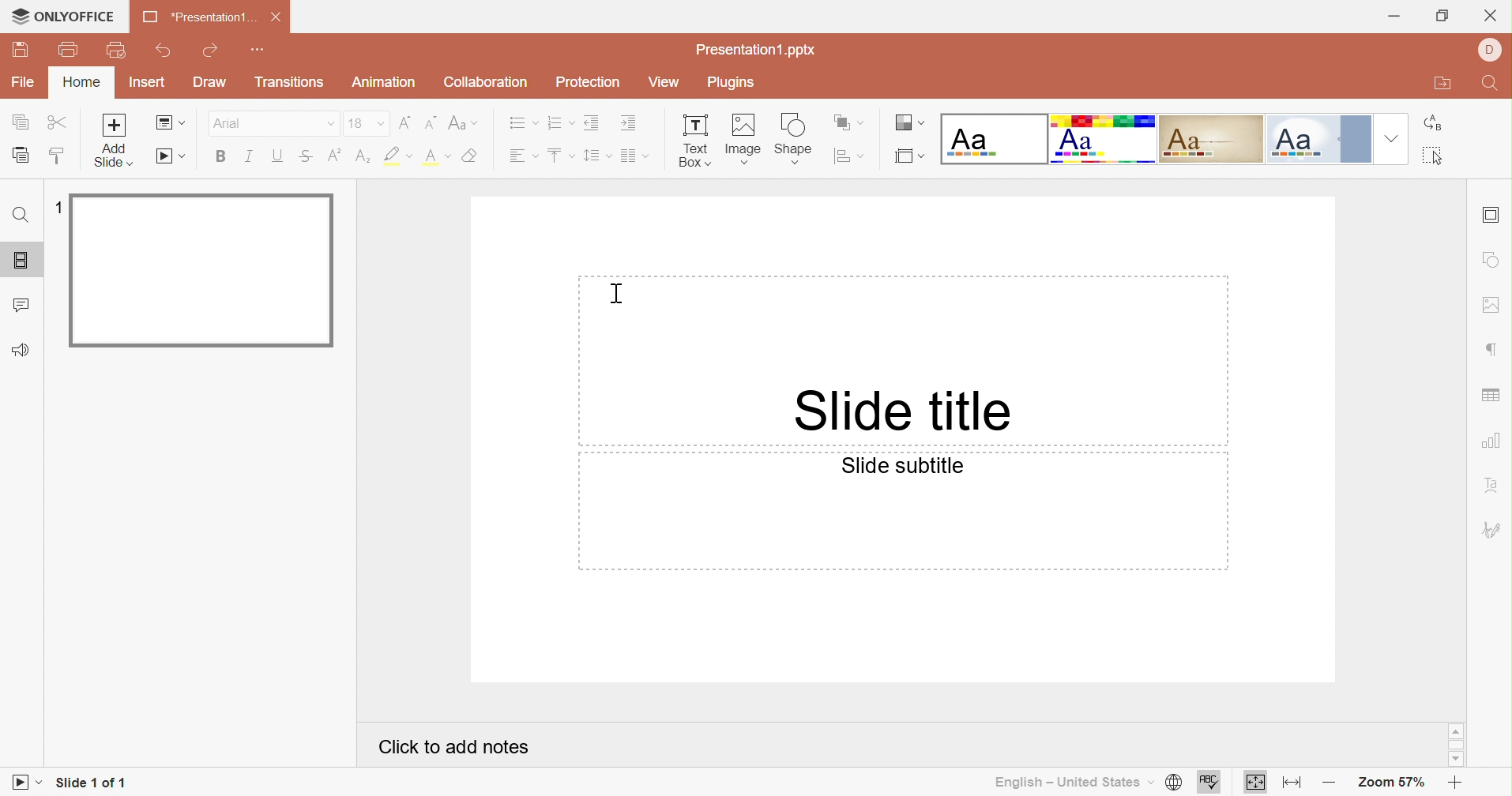 Image resolution: width=1512 pixels, height=796 pixels. I want to click on Plugins, so click(734, 82).